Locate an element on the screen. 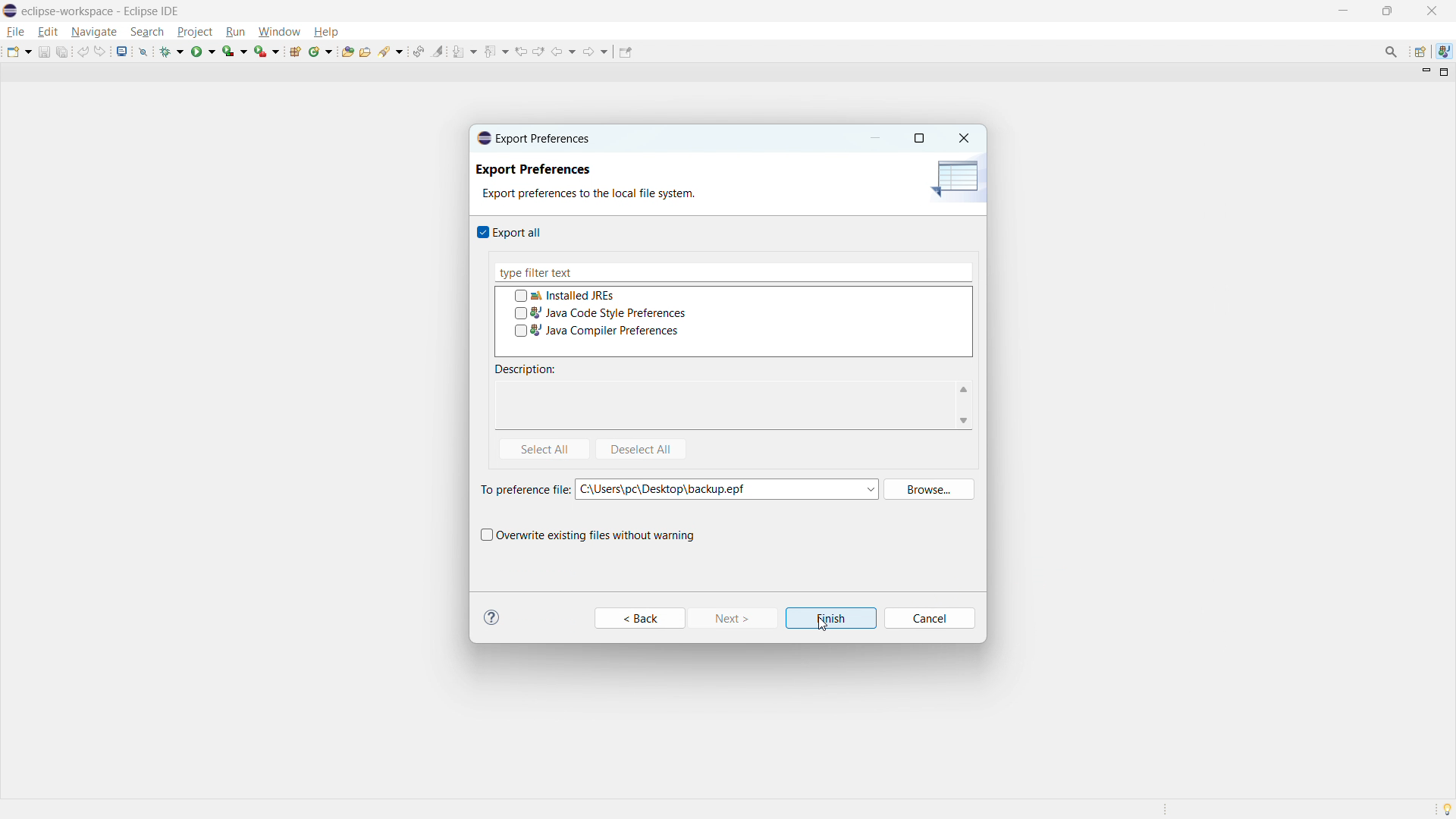 The image size is (1456, 819). Export Preferences is located at coordinates (536, 167).